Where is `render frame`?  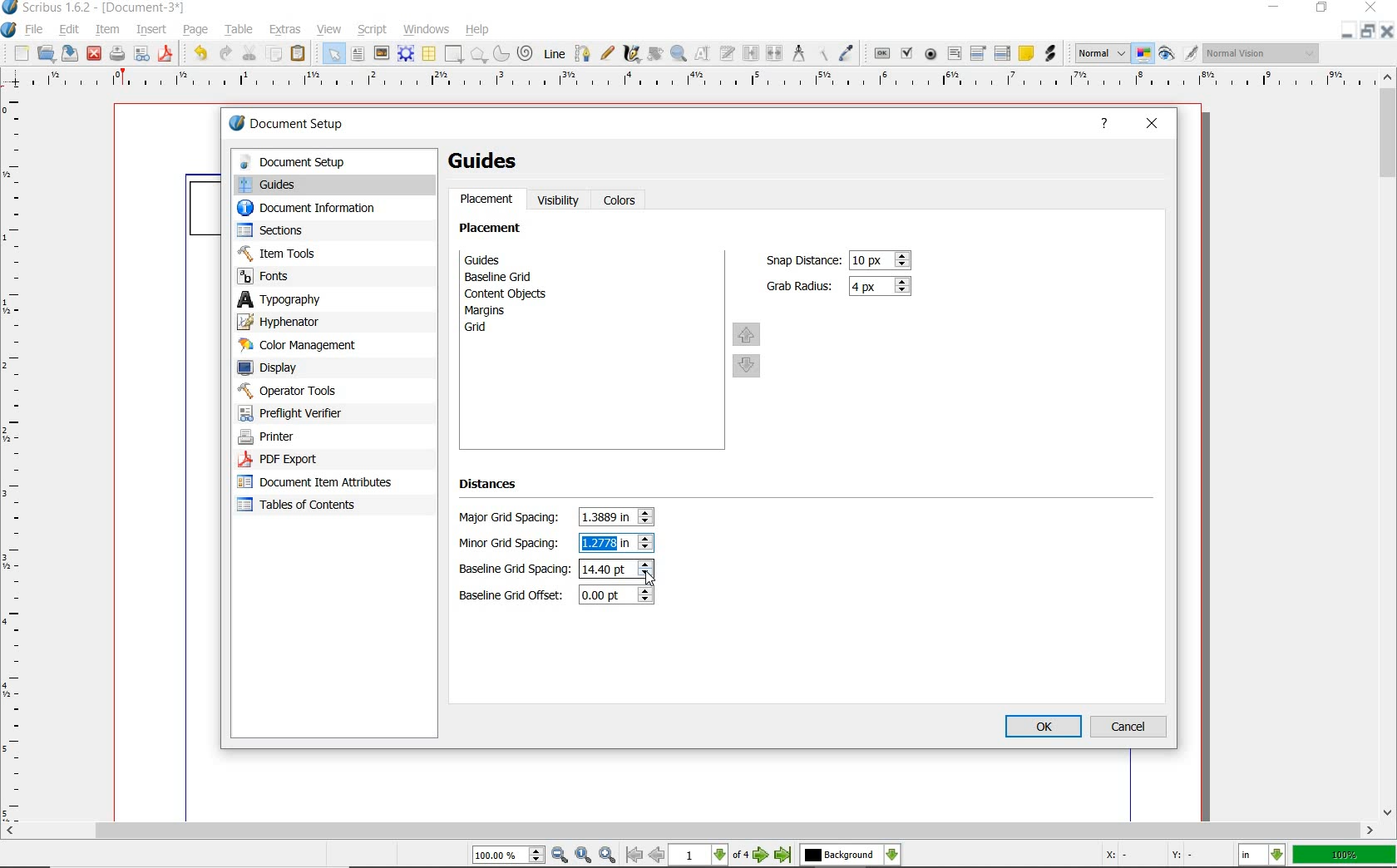
render frame is located at coordinates (406, 54).